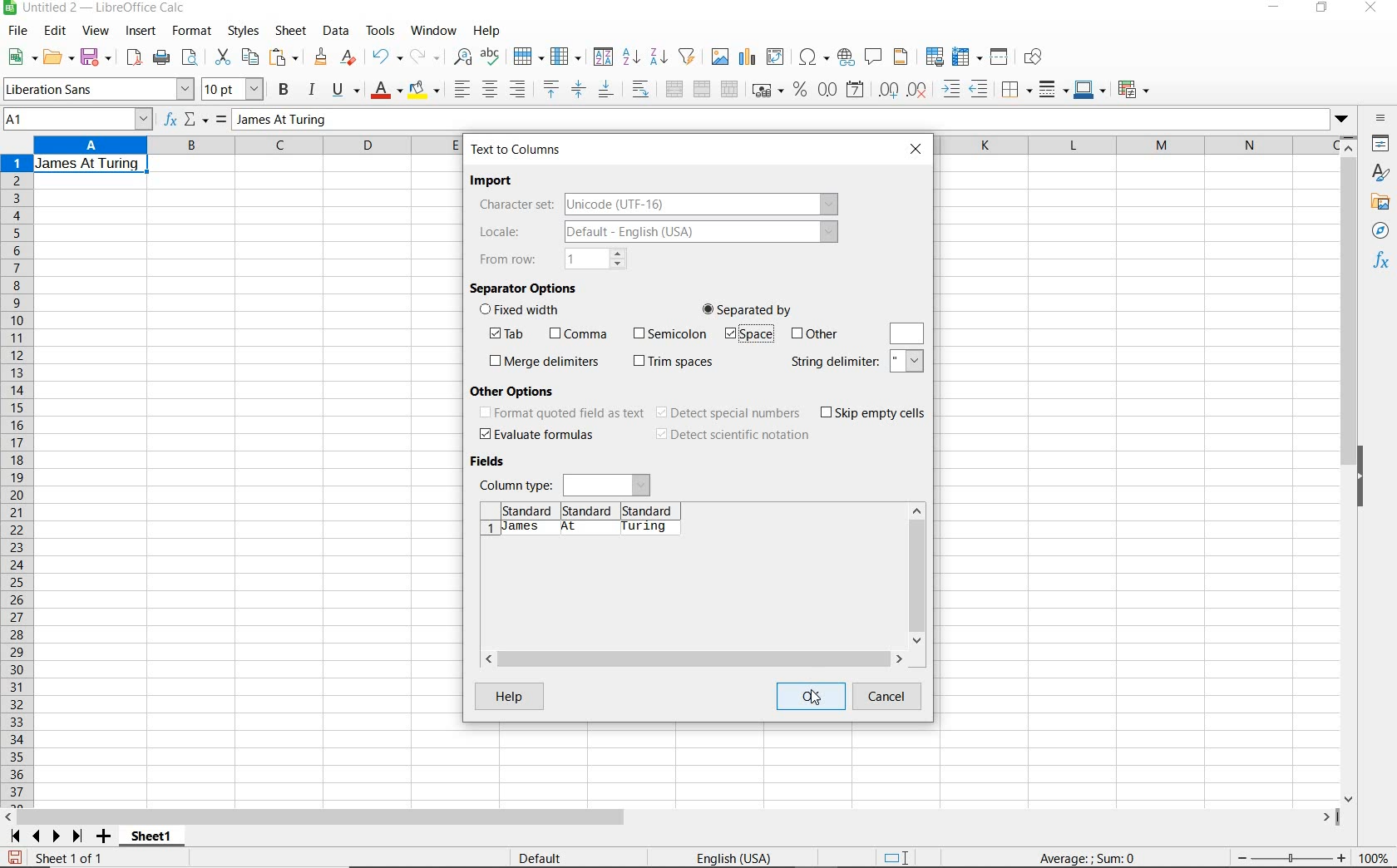  What do you see at coordinates (580, 89) in the screenshot?
I see `center vertically` at bounding box center [580, 89].